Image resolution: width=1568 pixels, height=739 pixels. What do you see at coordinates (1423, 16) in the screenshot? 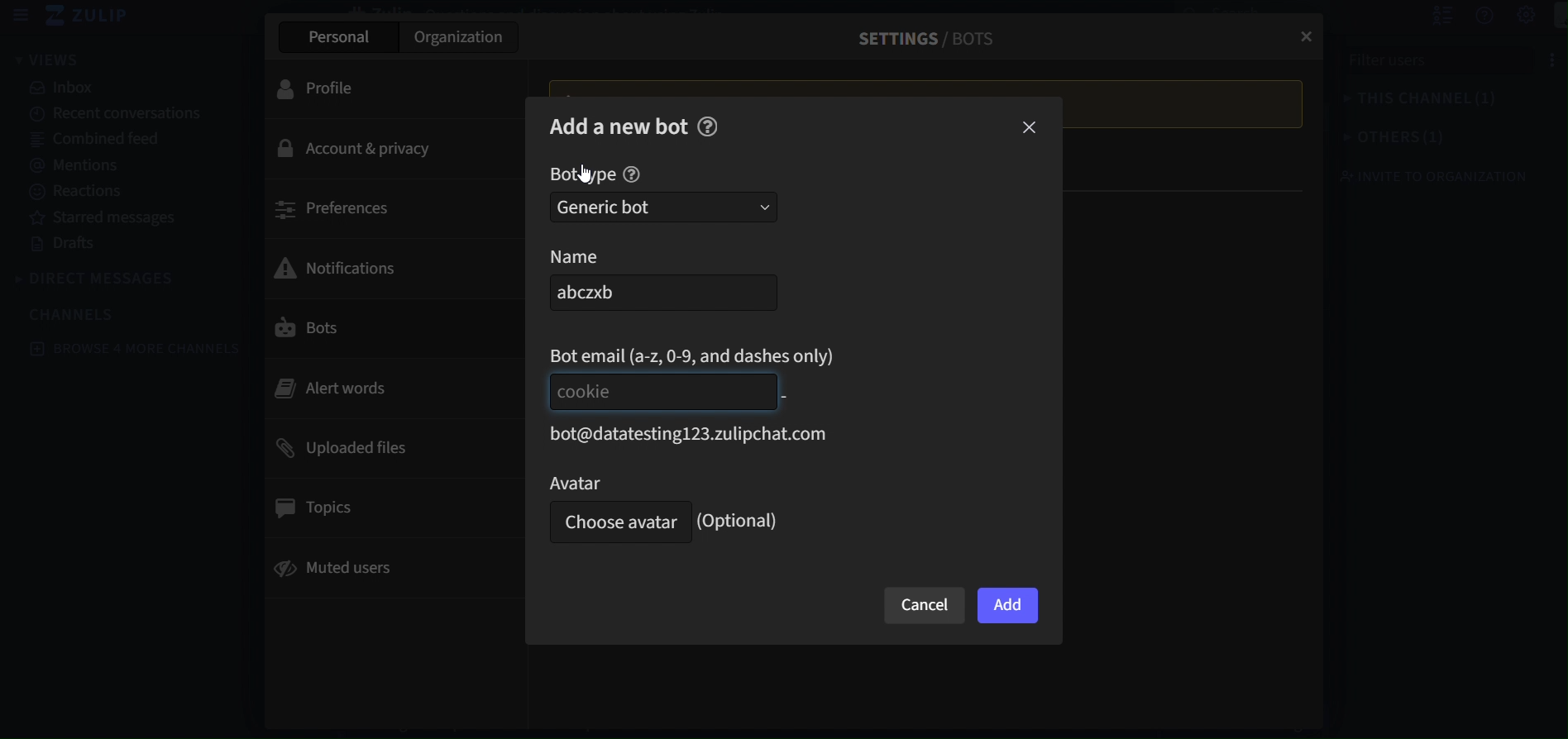
I see `hide user list` at bounding box center [1423, 16].